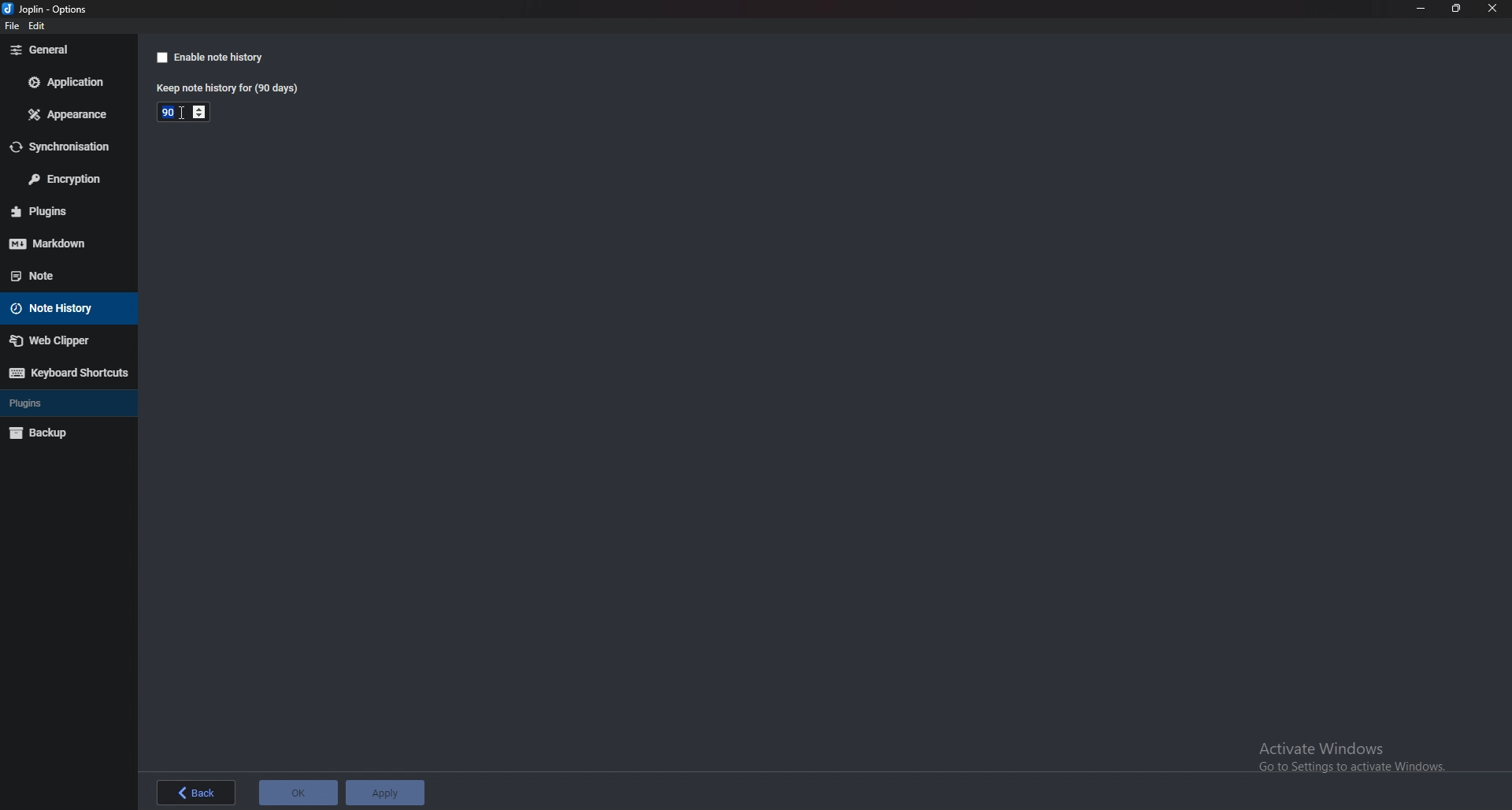 The image size is (1512, 810). Describe the element at coordinates (68, 373) in the screenshot. I see `Keyboard shortcuts` at that location.